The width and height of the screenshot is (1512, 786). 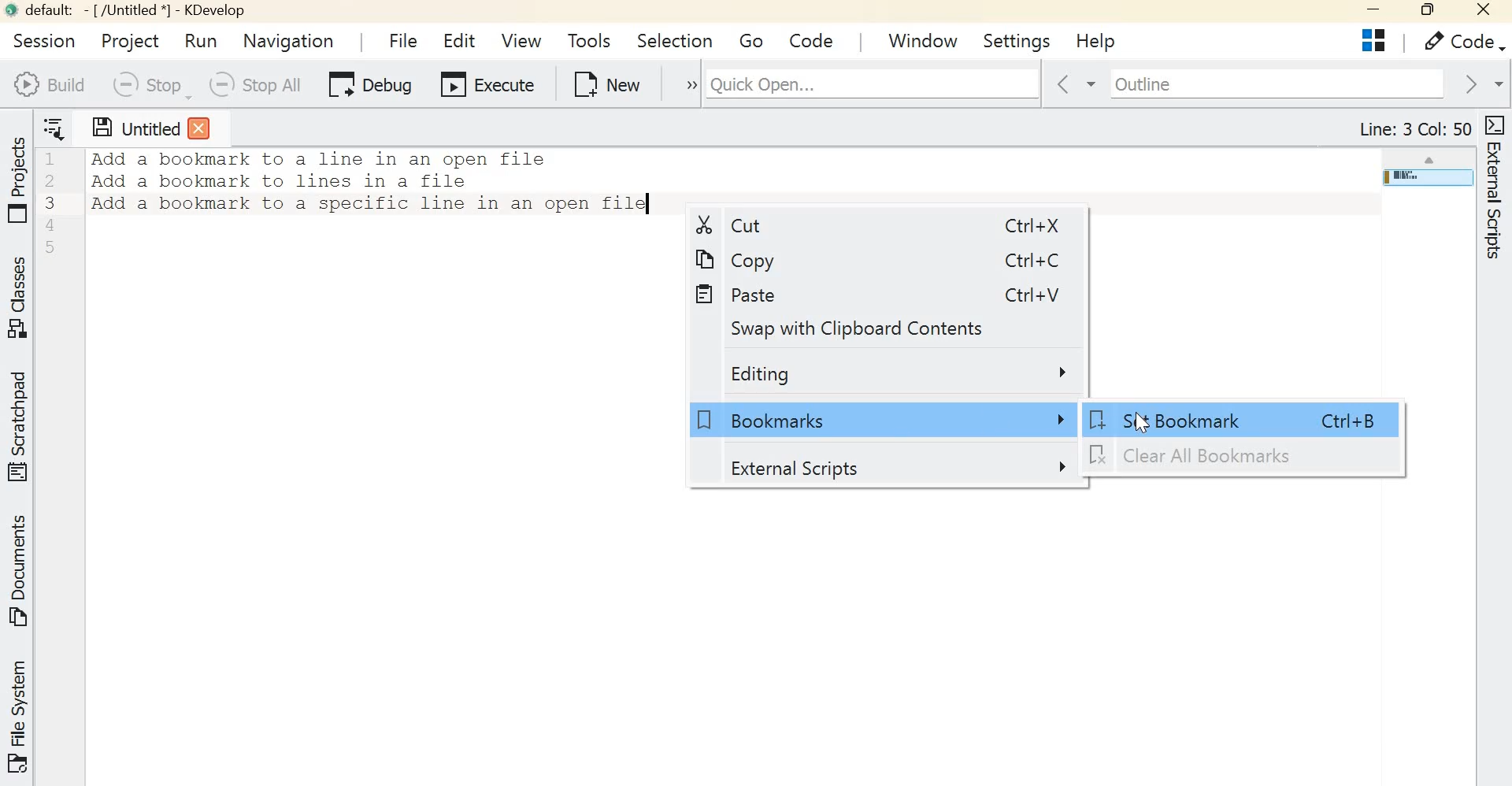 What do you see at coordinates (21, 715) in the screenshot?
I see `File system` at bounding box center [21, 715].